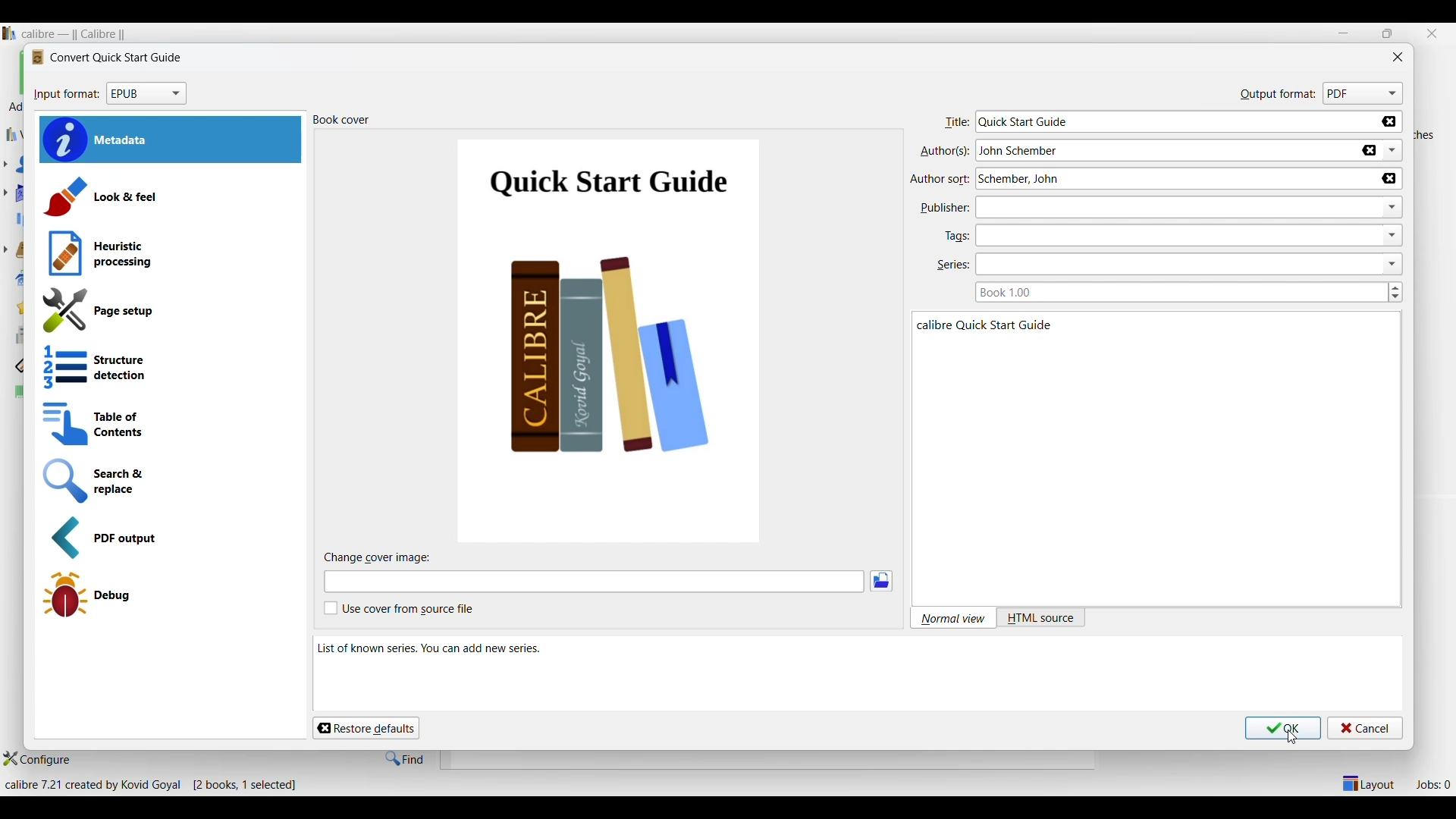  Describe the element at coordinates (168, 423) in the screenshot. I see `Table of contents` at that location.